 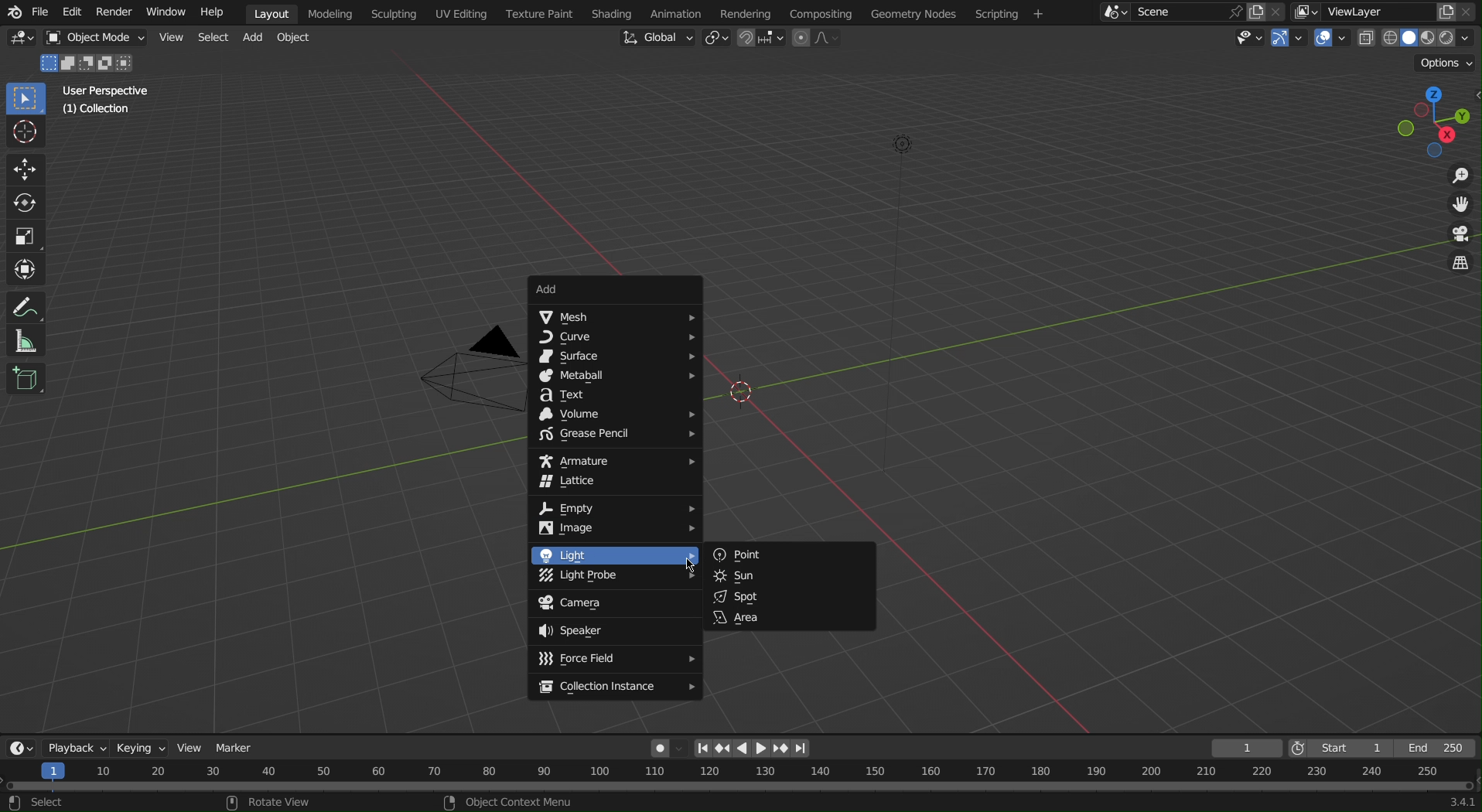 What do you see at coordinates (701, 560) in the screenshot?
I see `Cursor` at bounding box center [701, 560].